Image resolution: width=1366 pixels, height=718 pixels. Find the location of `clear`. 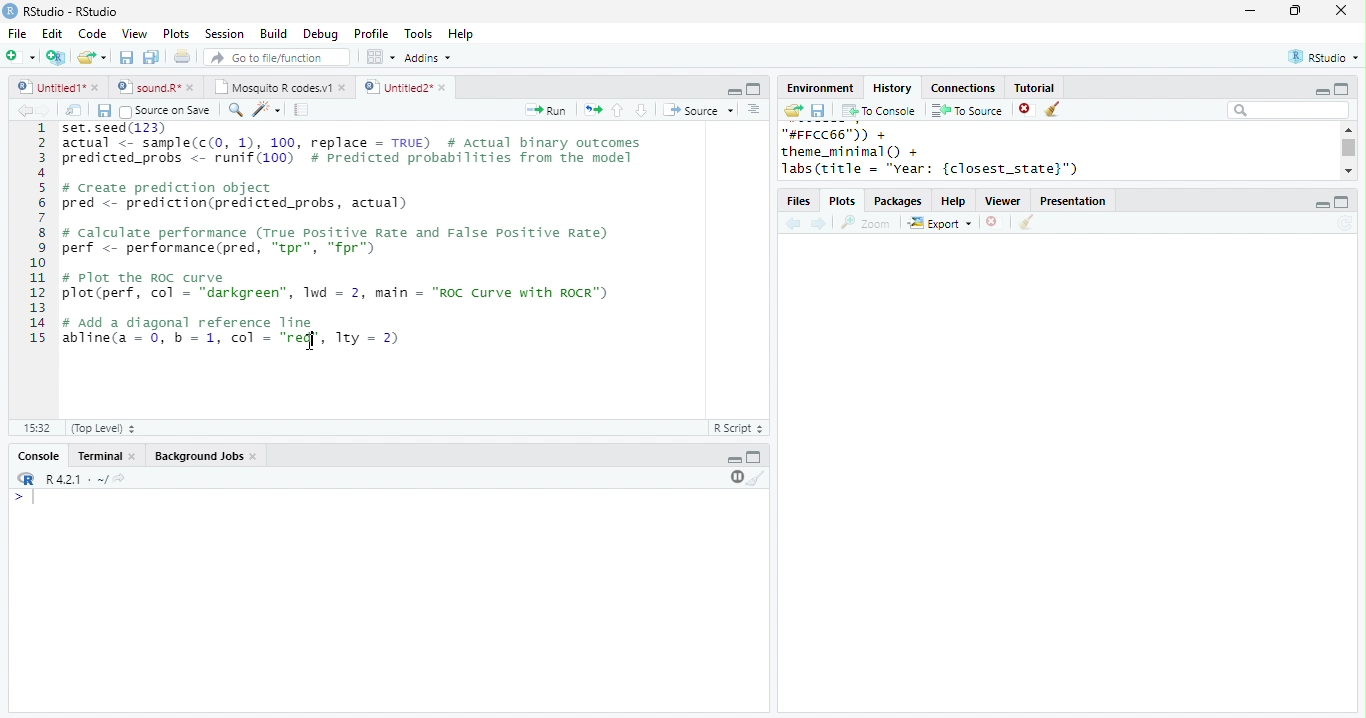

clear is located at coordinates (1054, 110).